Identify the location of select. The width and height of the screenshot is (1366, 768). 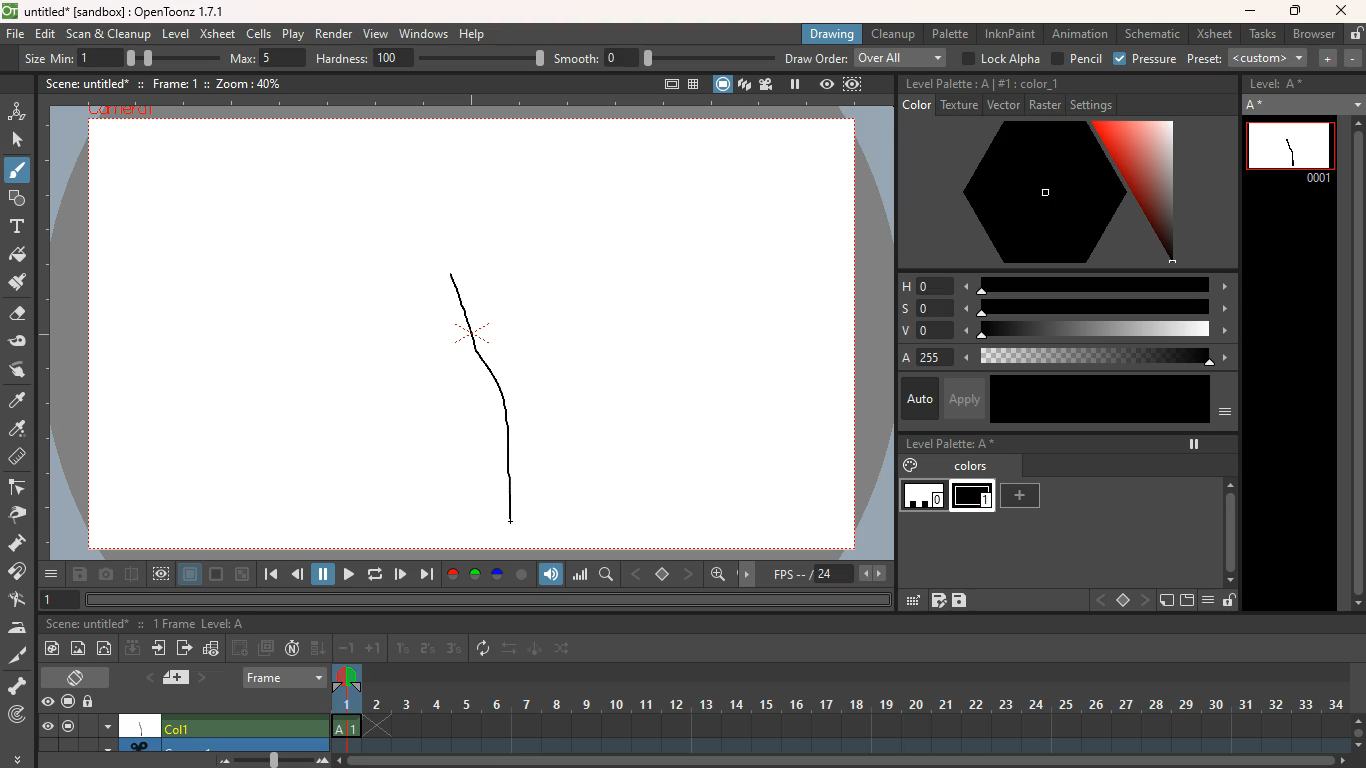
(19, 140).